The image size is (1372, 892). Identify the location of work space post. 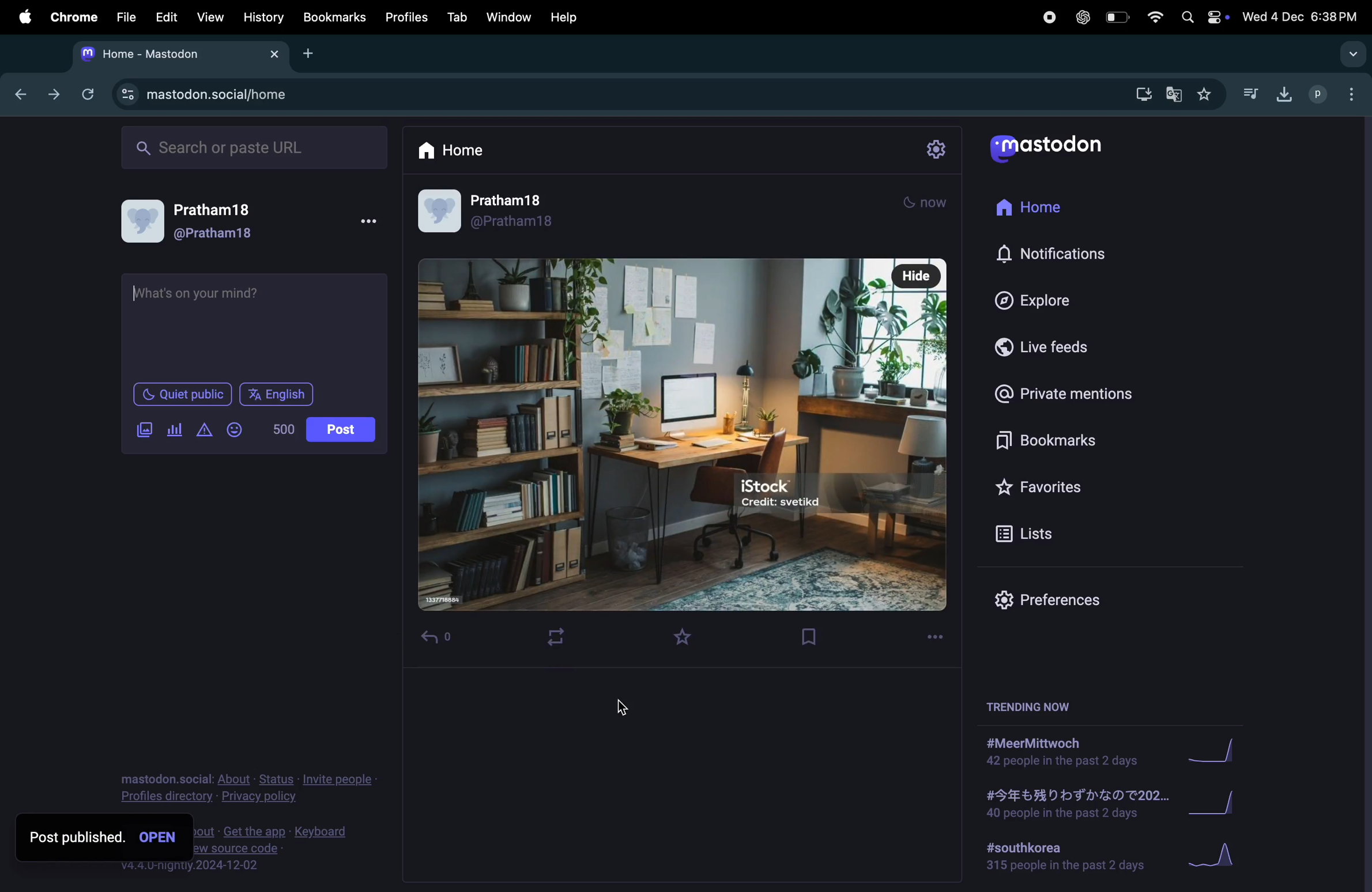
(682, 436).